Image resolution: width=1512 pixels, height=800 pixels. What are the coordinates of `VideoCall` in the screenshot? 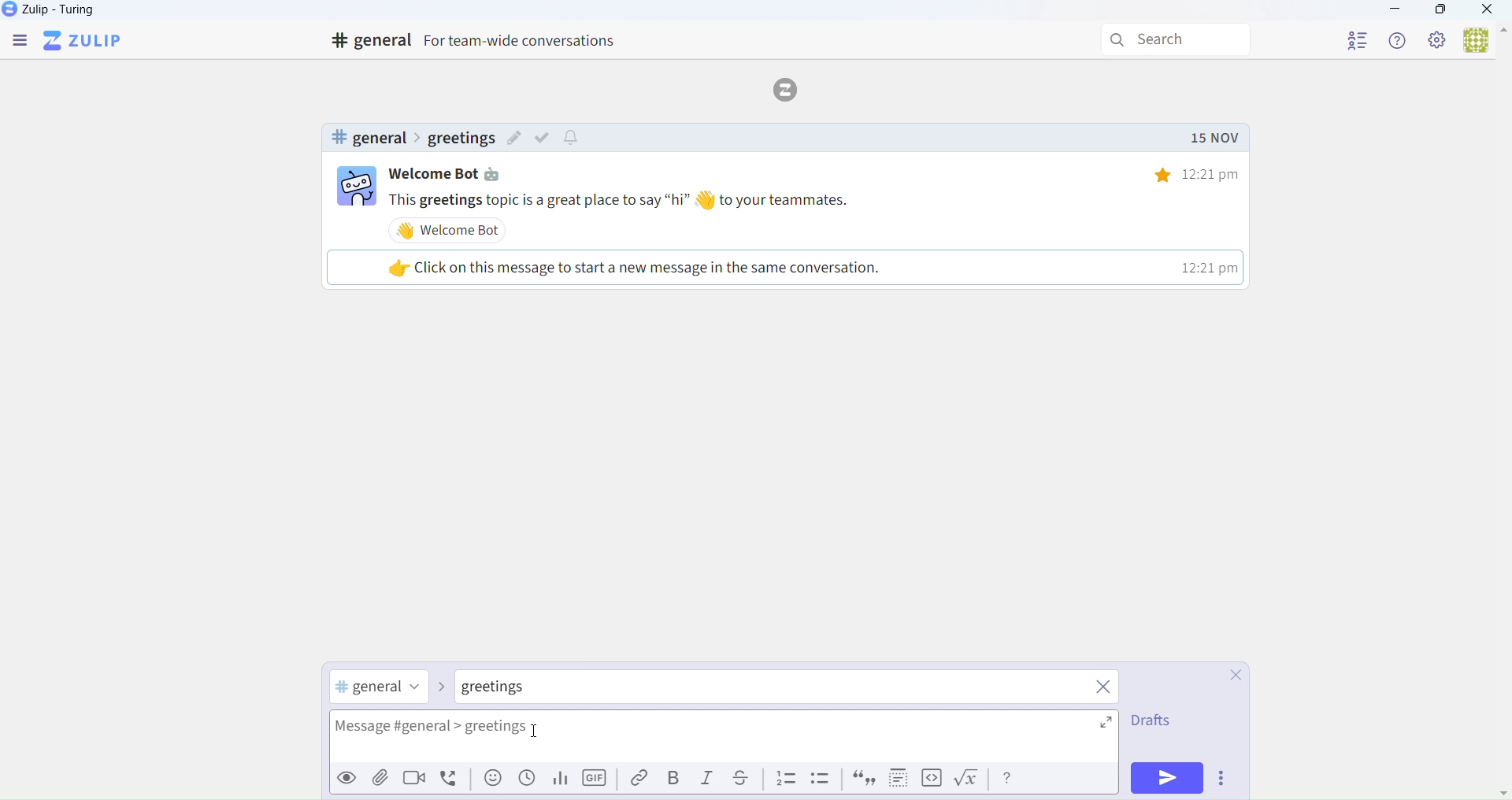 It's located at (417, 780).